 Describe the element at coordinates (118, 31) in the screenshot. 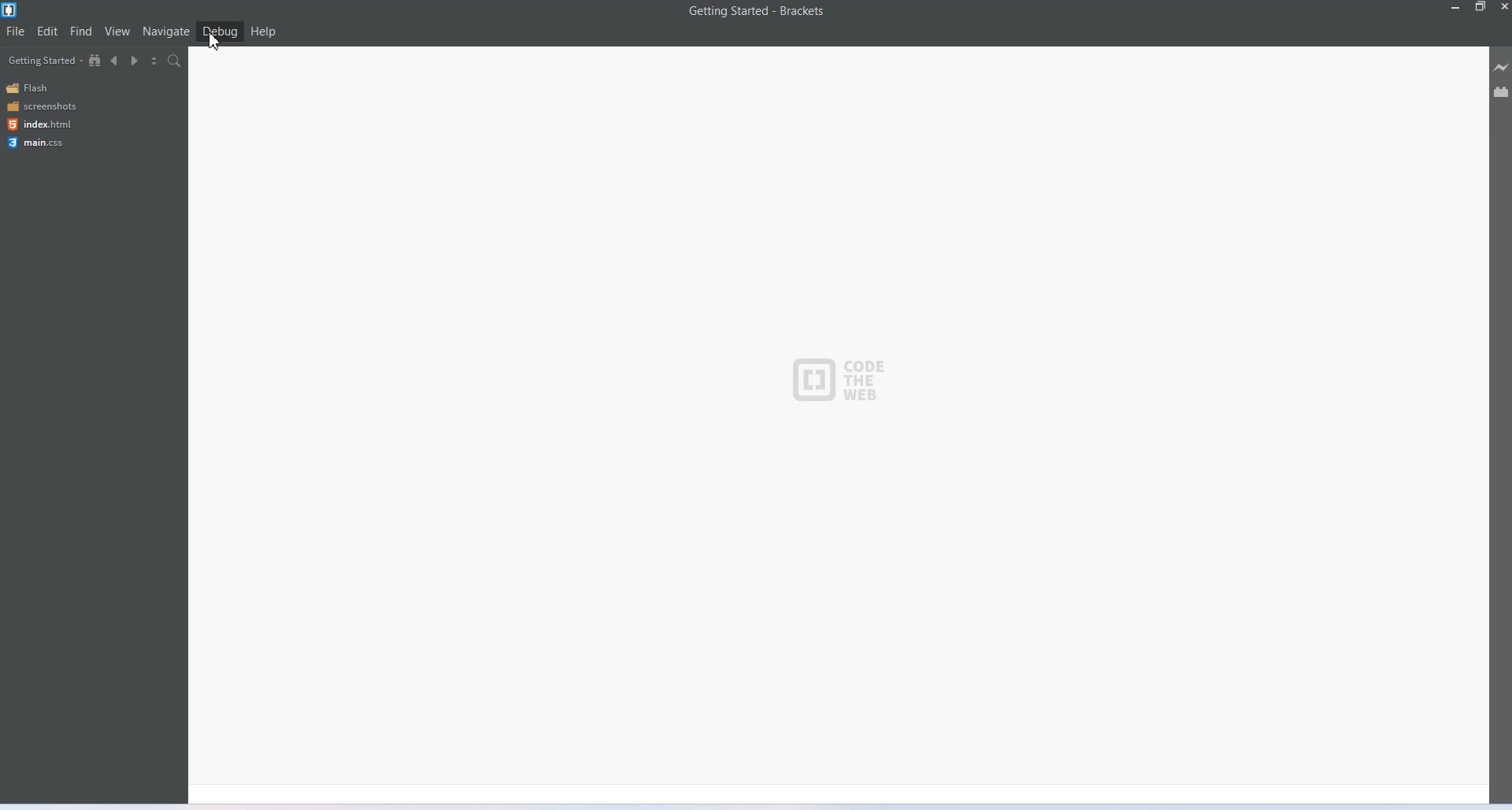

I see `view` at that location.